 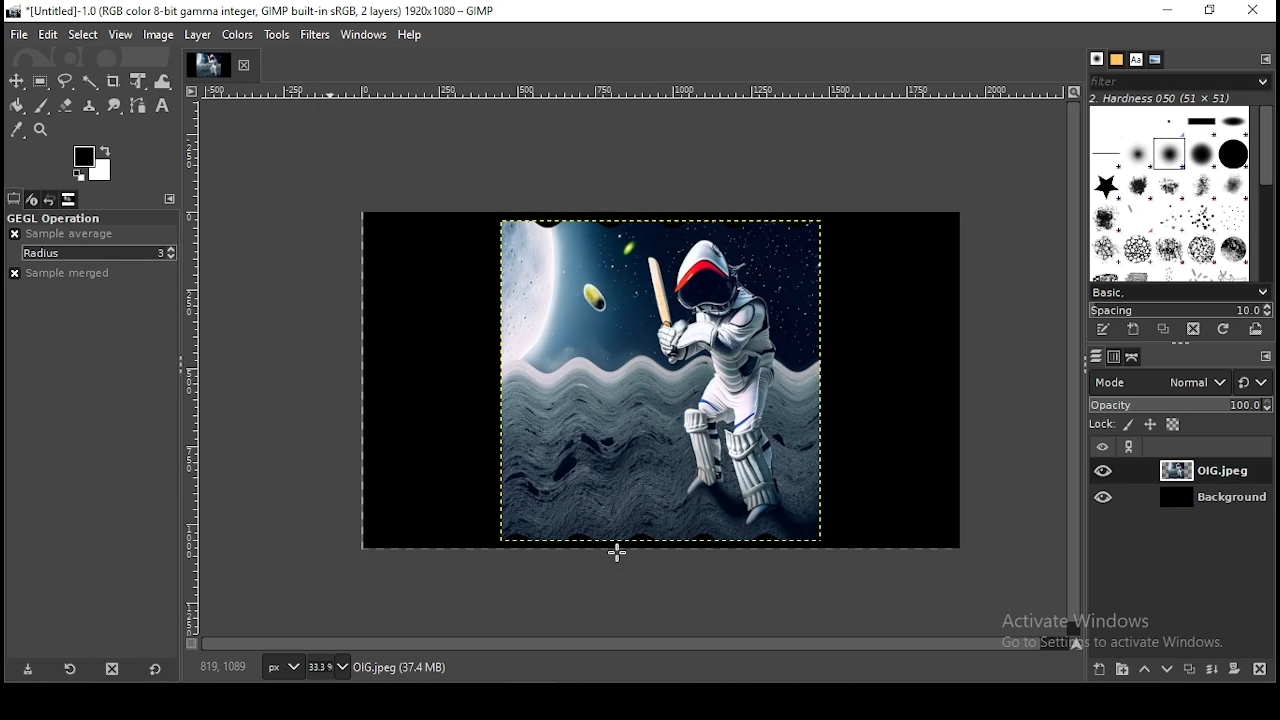 I want to click on document history, so click(x=1155, y=60).